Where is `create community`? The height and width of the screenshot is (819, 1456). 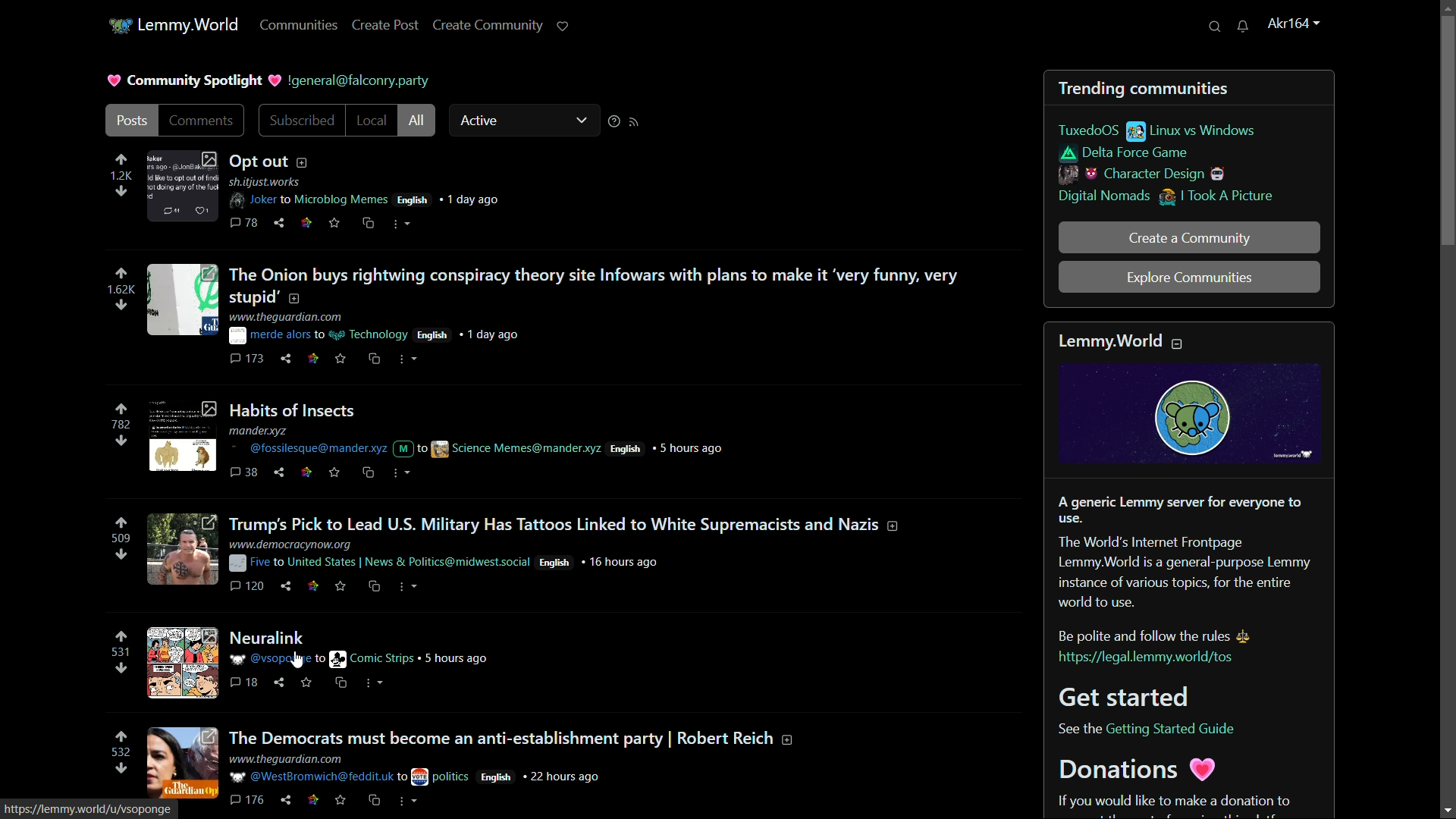
create community is located at coordinates (488, 27).